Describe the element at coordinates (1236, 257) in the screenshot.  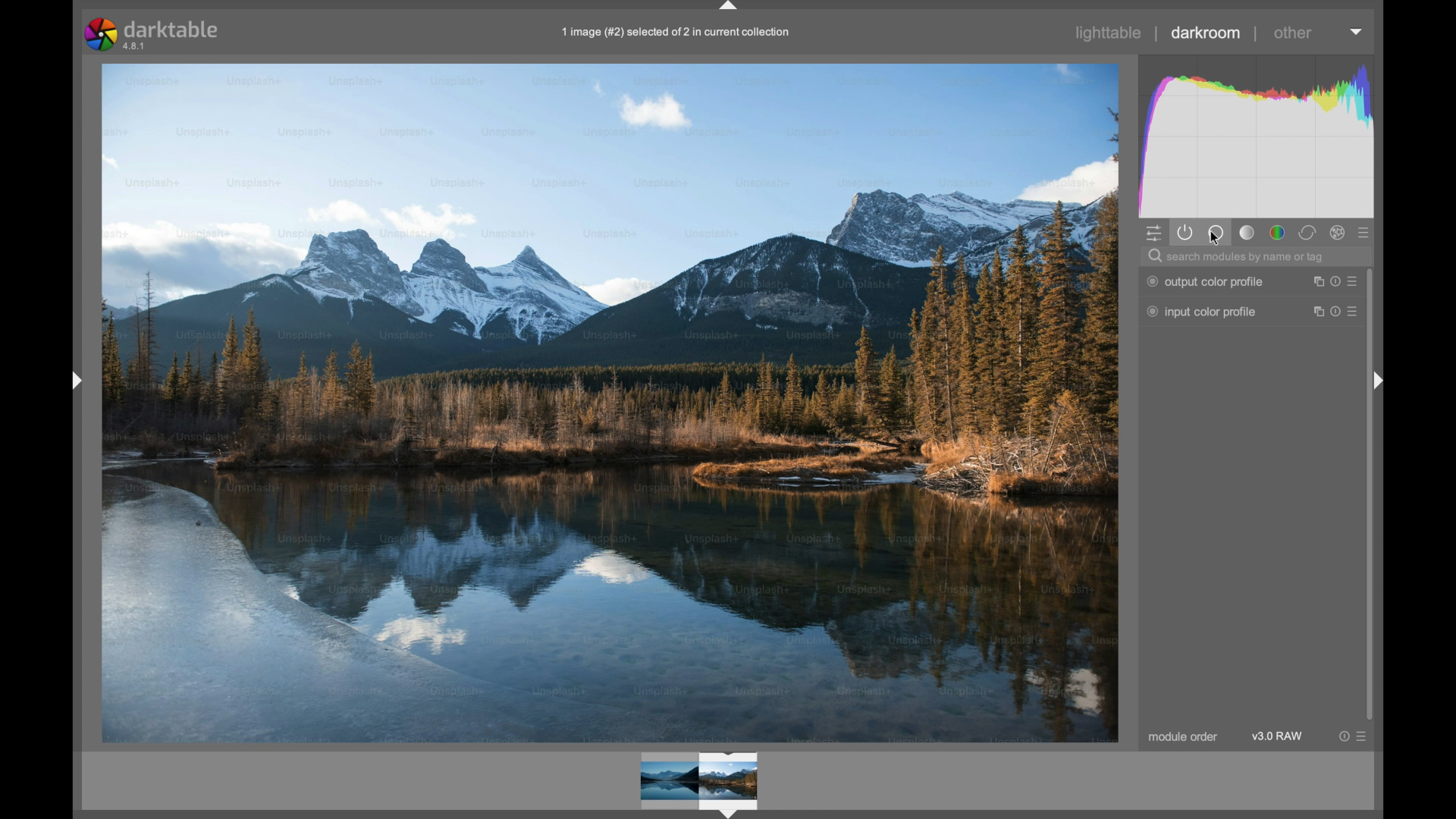
I see `search modules by name or tag` at that location.